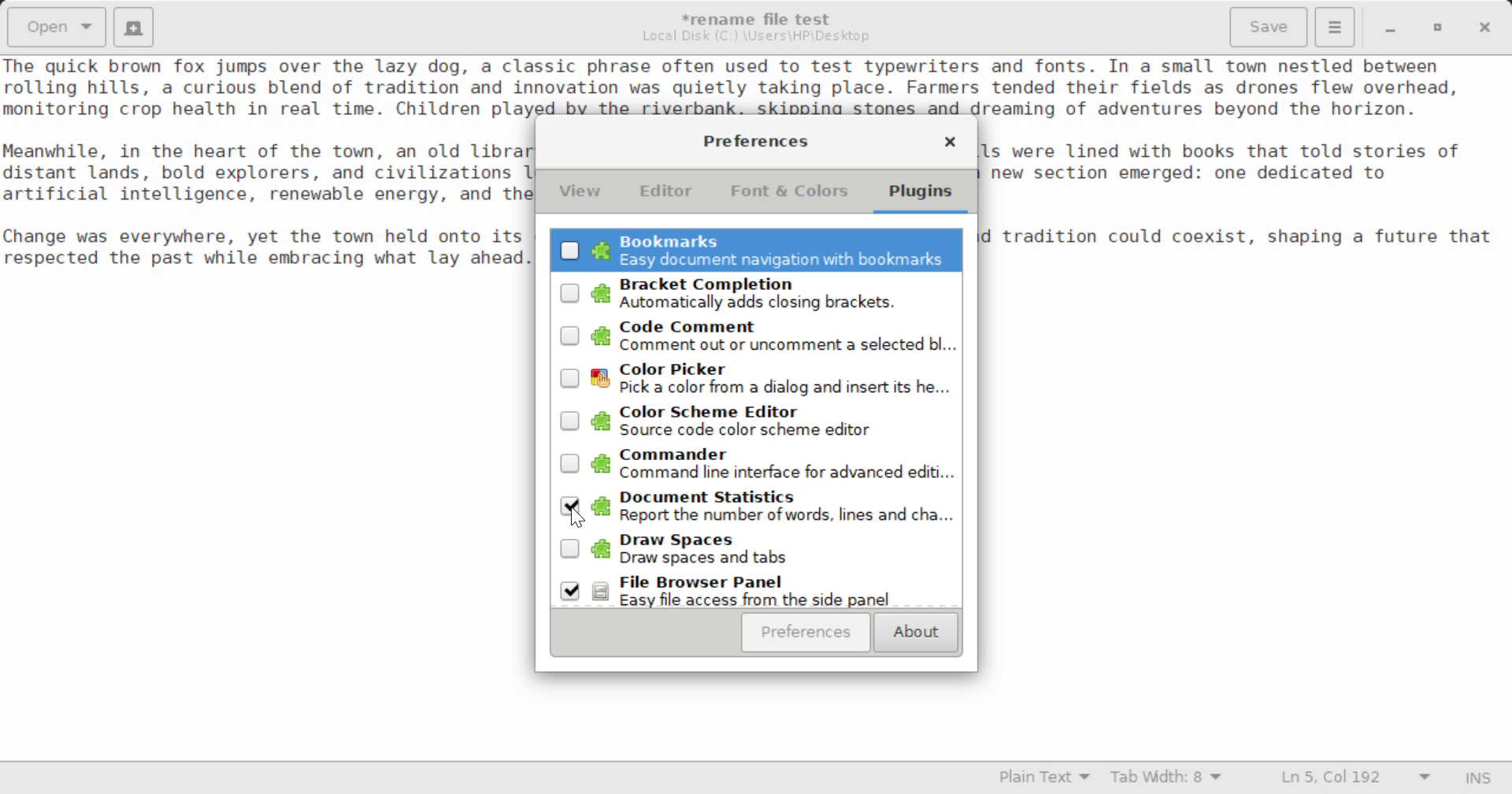 The image size is (1512, 794). Describe the element at coordinates (1388, 28) in the screenshot. I see `Restore Down` at that location.